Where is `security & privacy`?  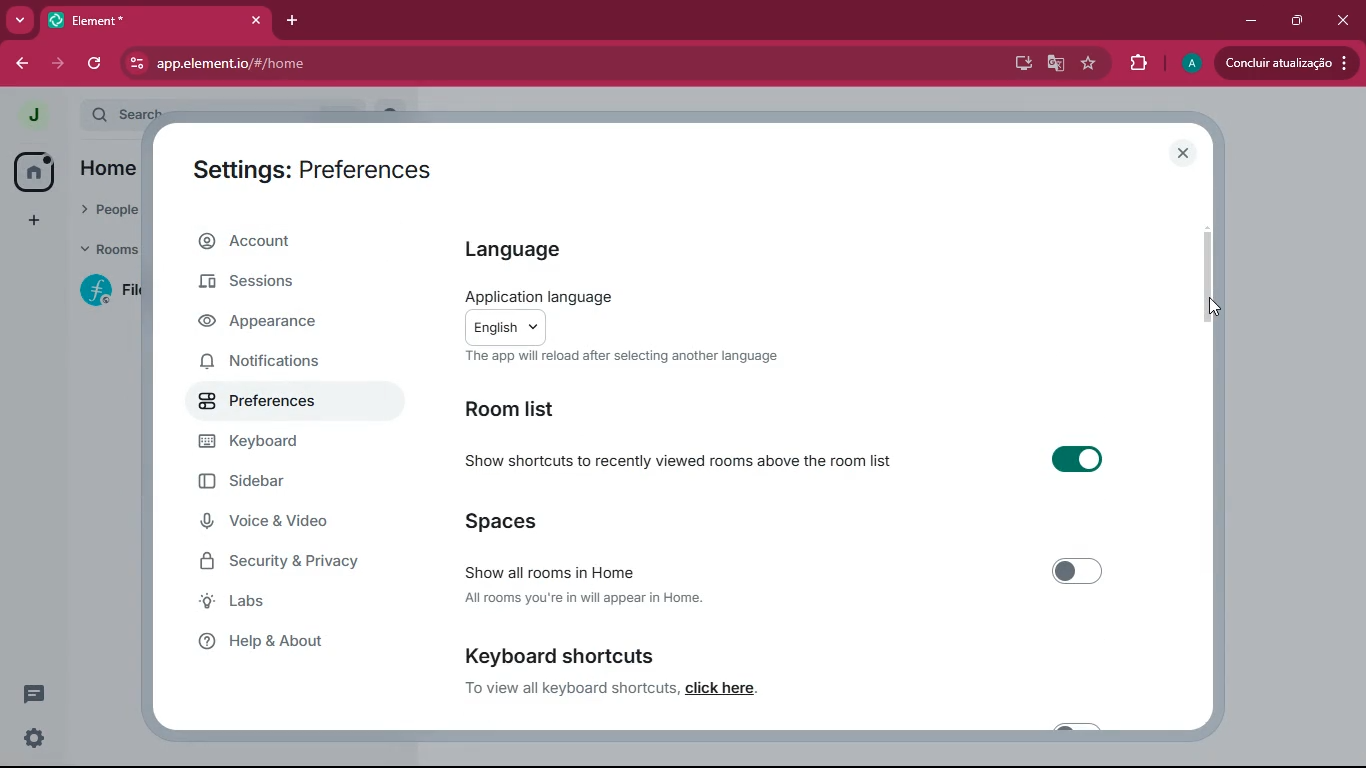 security & privacy is located at coordinates (285, 565).